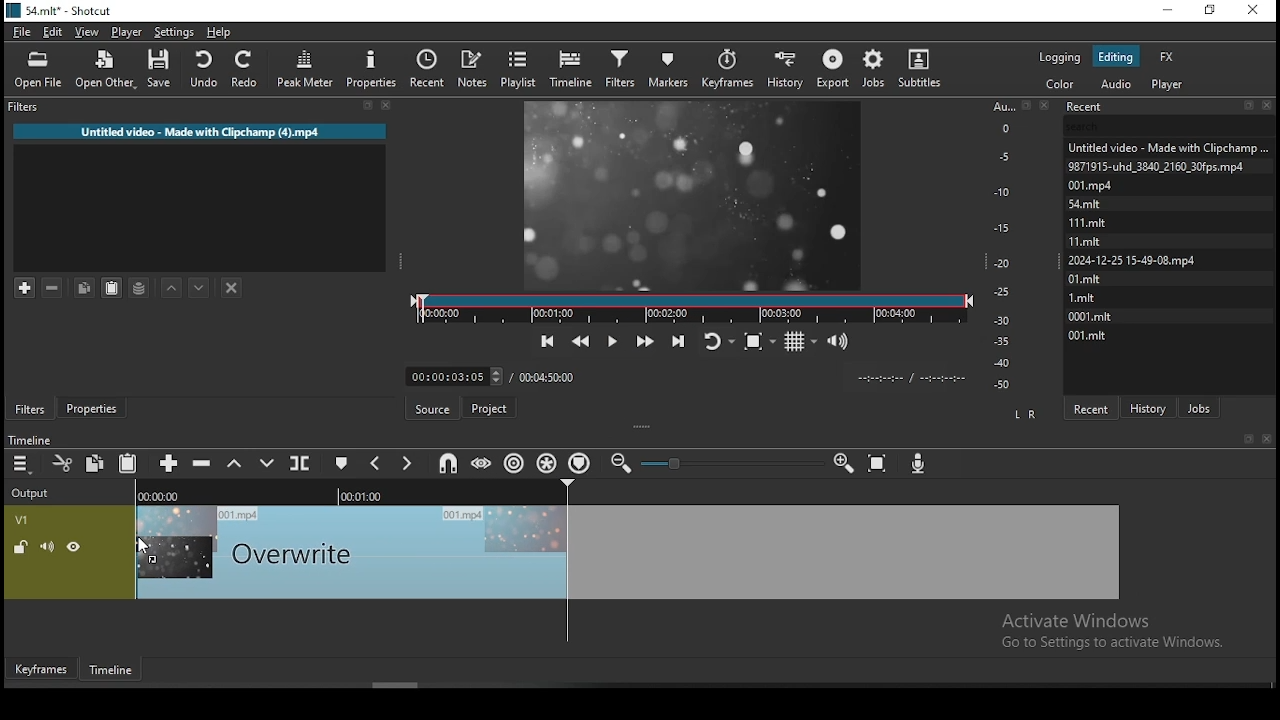  Describe the element at coordinates (760, 343) in the screenshot. I see `toggle zoom` at that location.